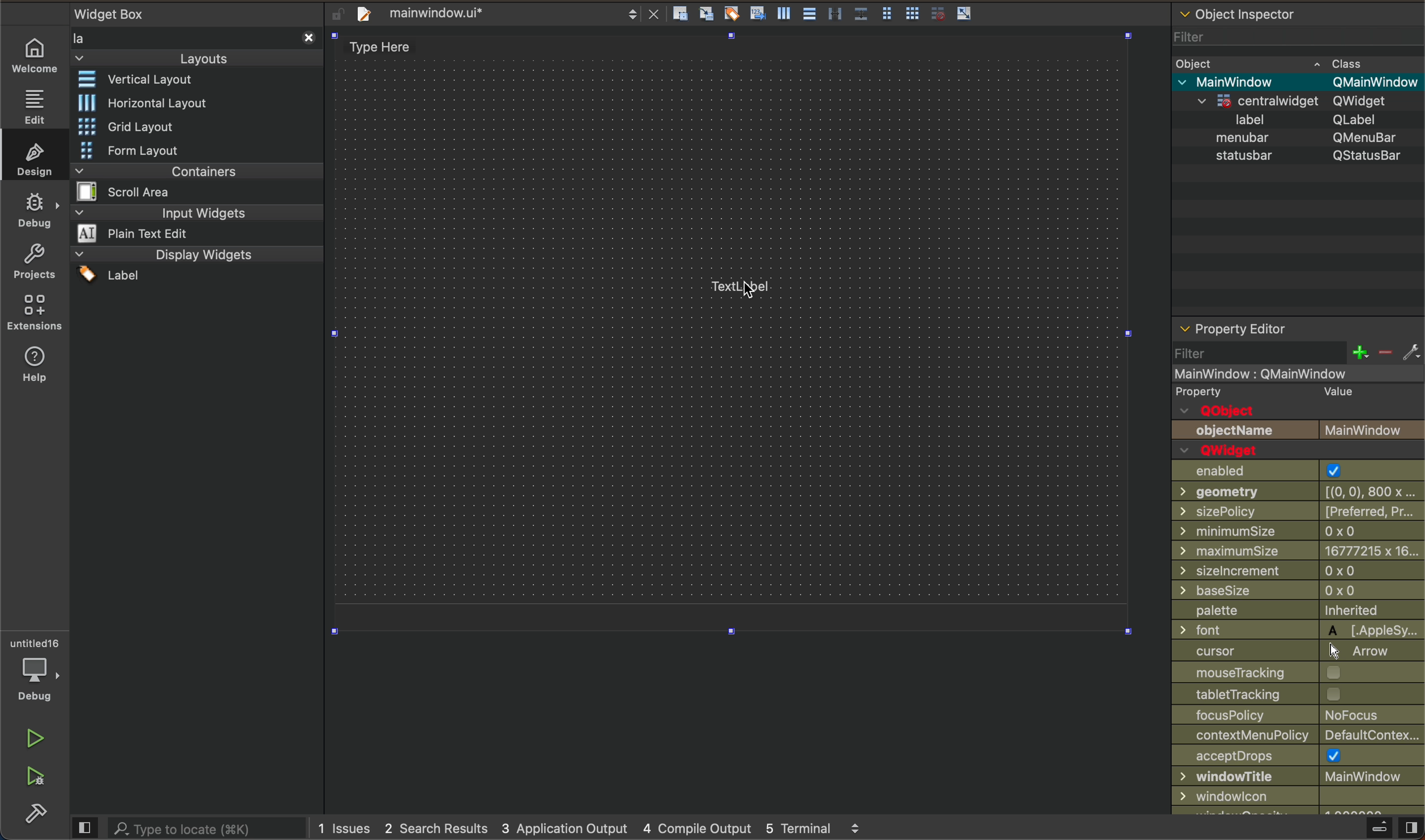  Describe the element at coordinates (37, 265) in the screenshot. I see `projects` at that location.